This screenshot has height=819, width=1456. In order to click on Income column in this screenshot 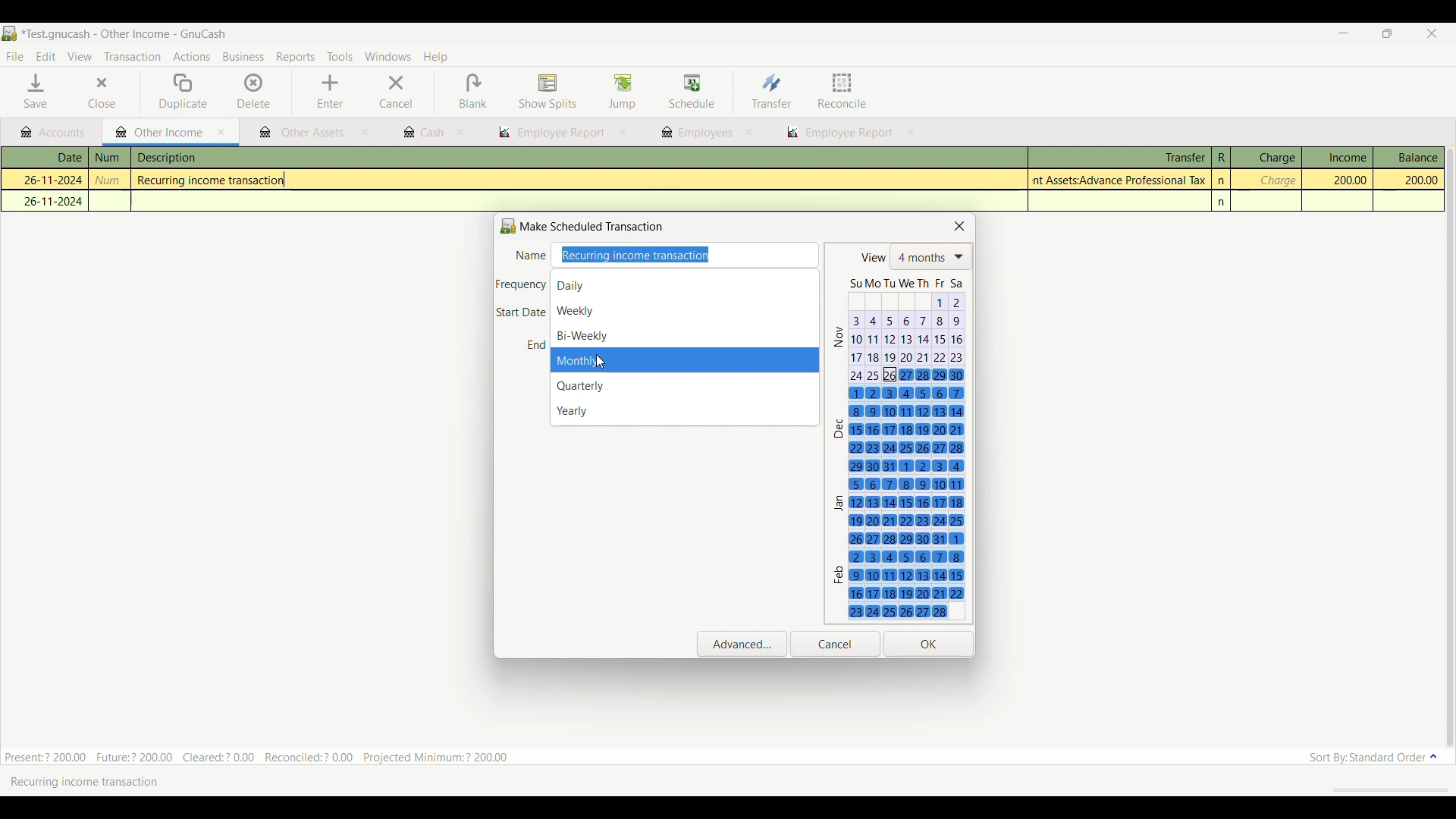, I will do `click(1337, 157)`.